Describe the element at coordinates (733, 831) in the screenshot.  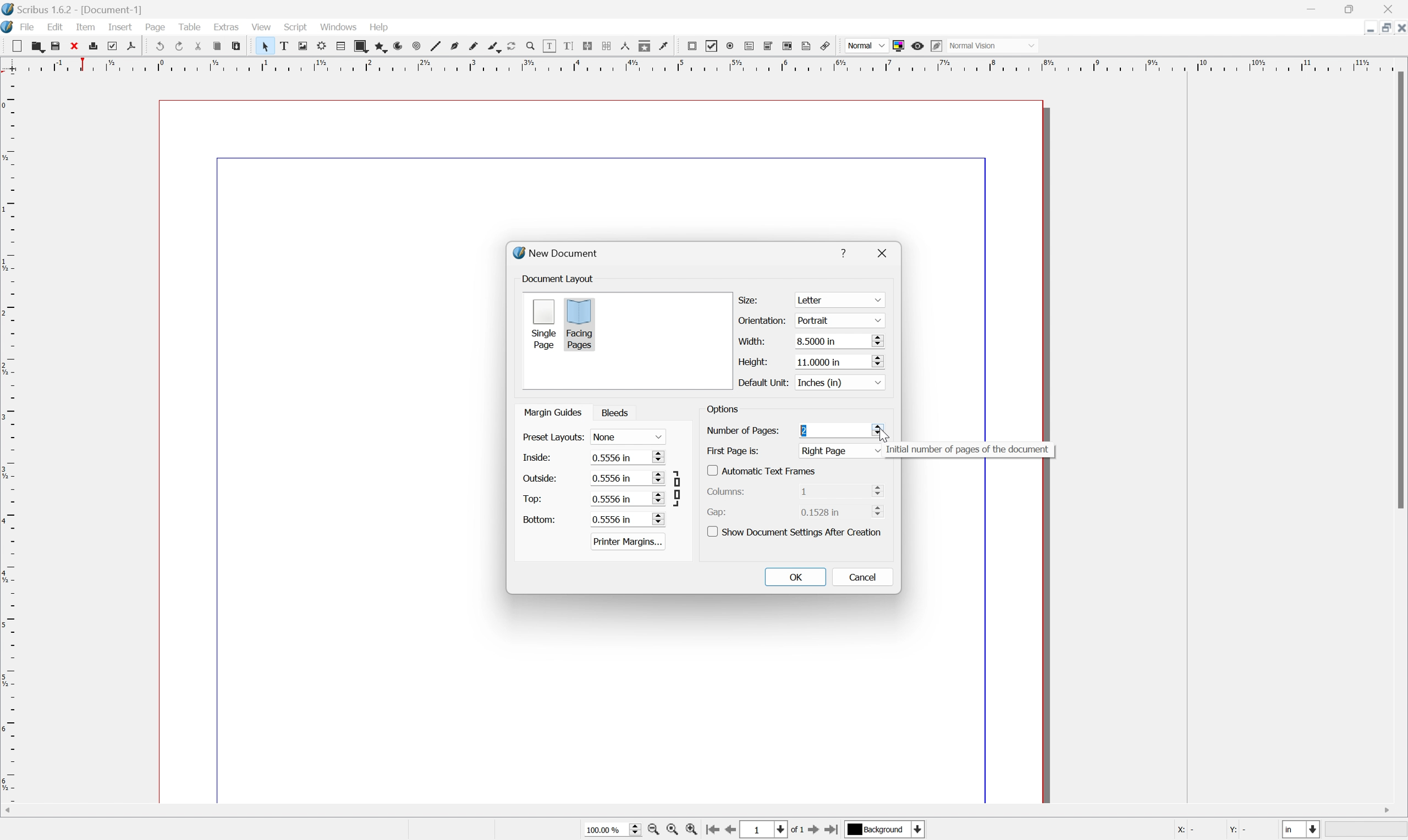
I see `go to previous page` at that location.